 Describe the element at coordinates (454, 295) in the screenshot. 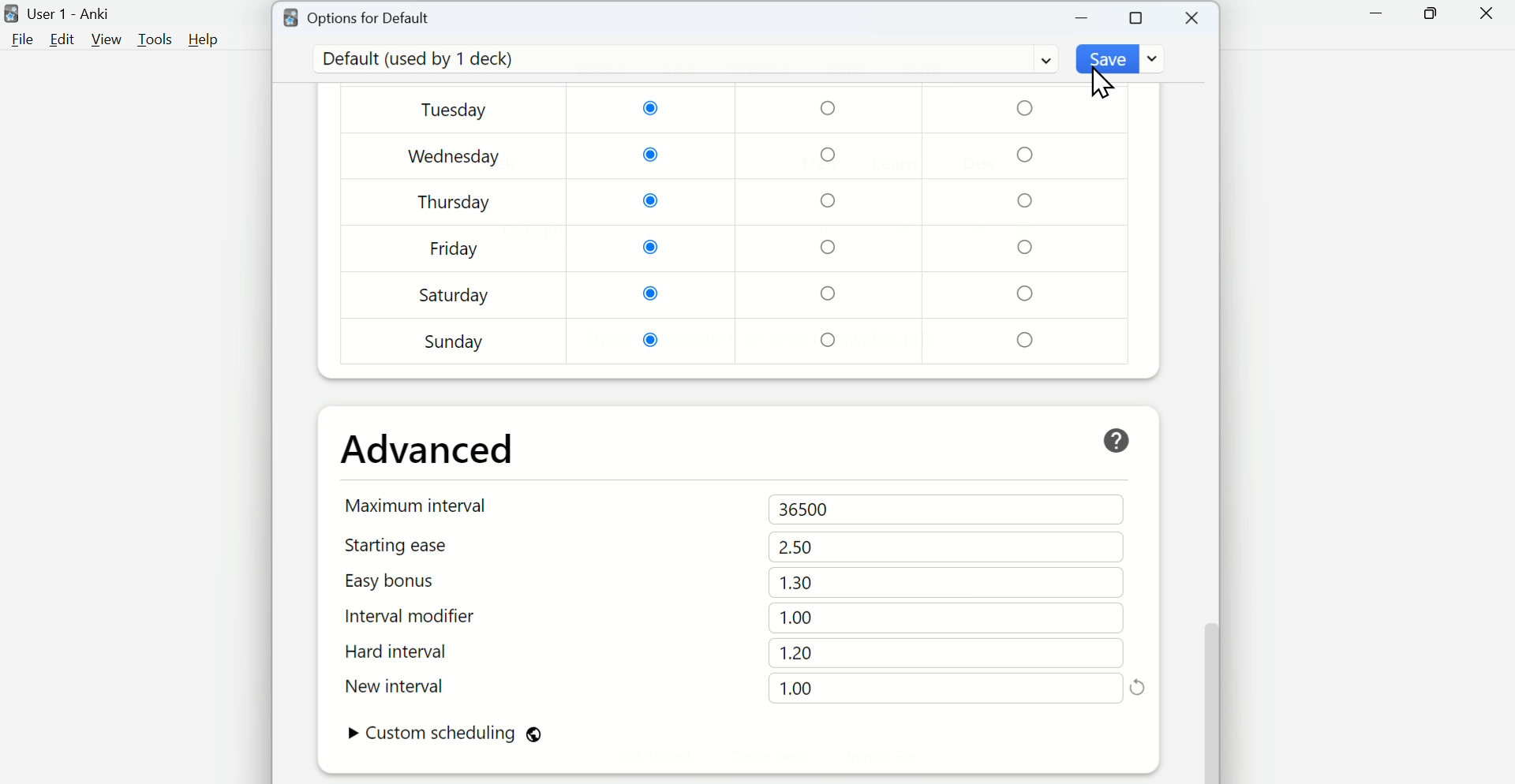

I see `Saturday` at that location.